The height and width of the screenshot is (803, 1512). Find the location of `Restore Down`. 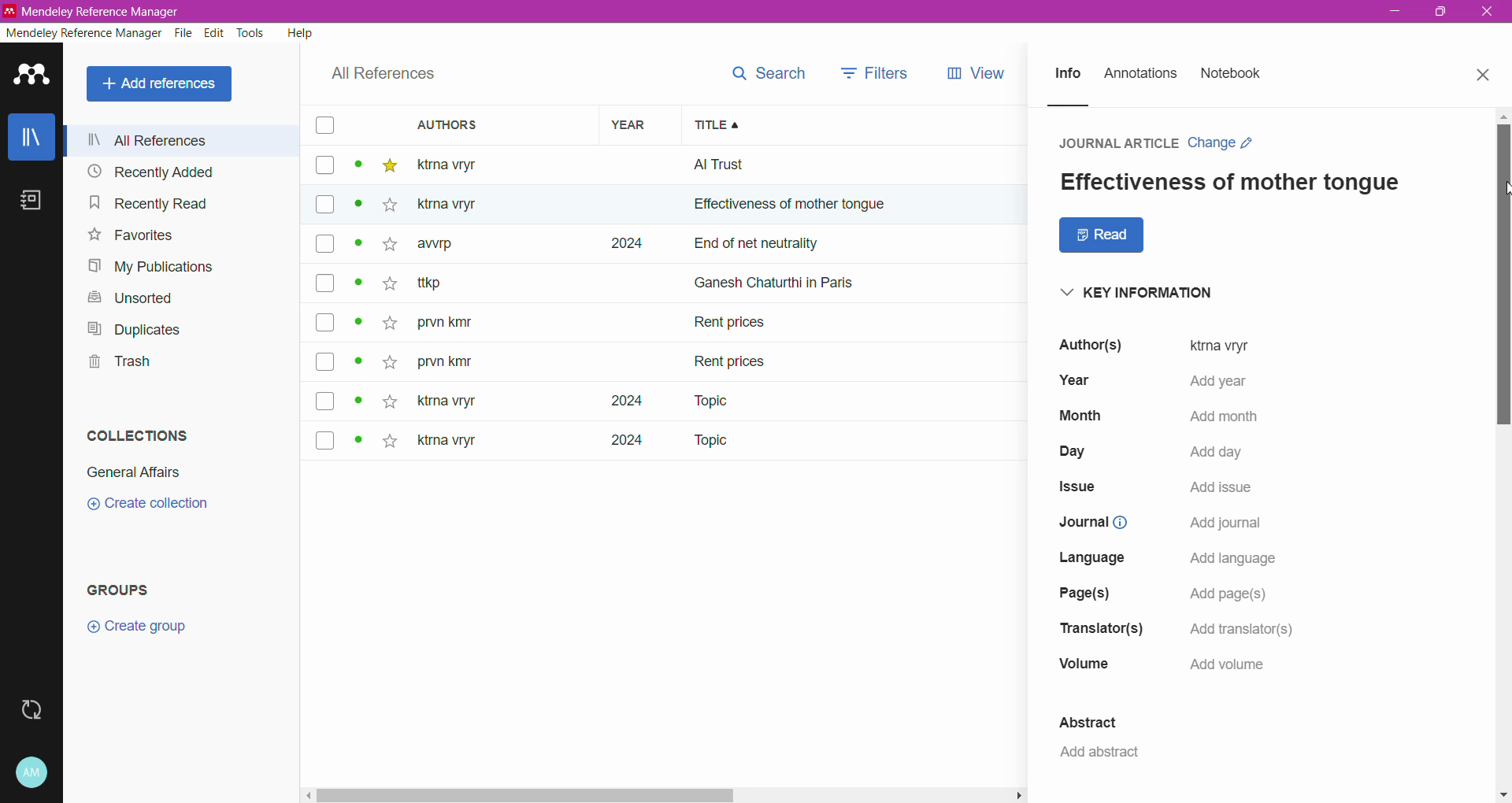

Restore Down is located at coordinates (1440, 10).